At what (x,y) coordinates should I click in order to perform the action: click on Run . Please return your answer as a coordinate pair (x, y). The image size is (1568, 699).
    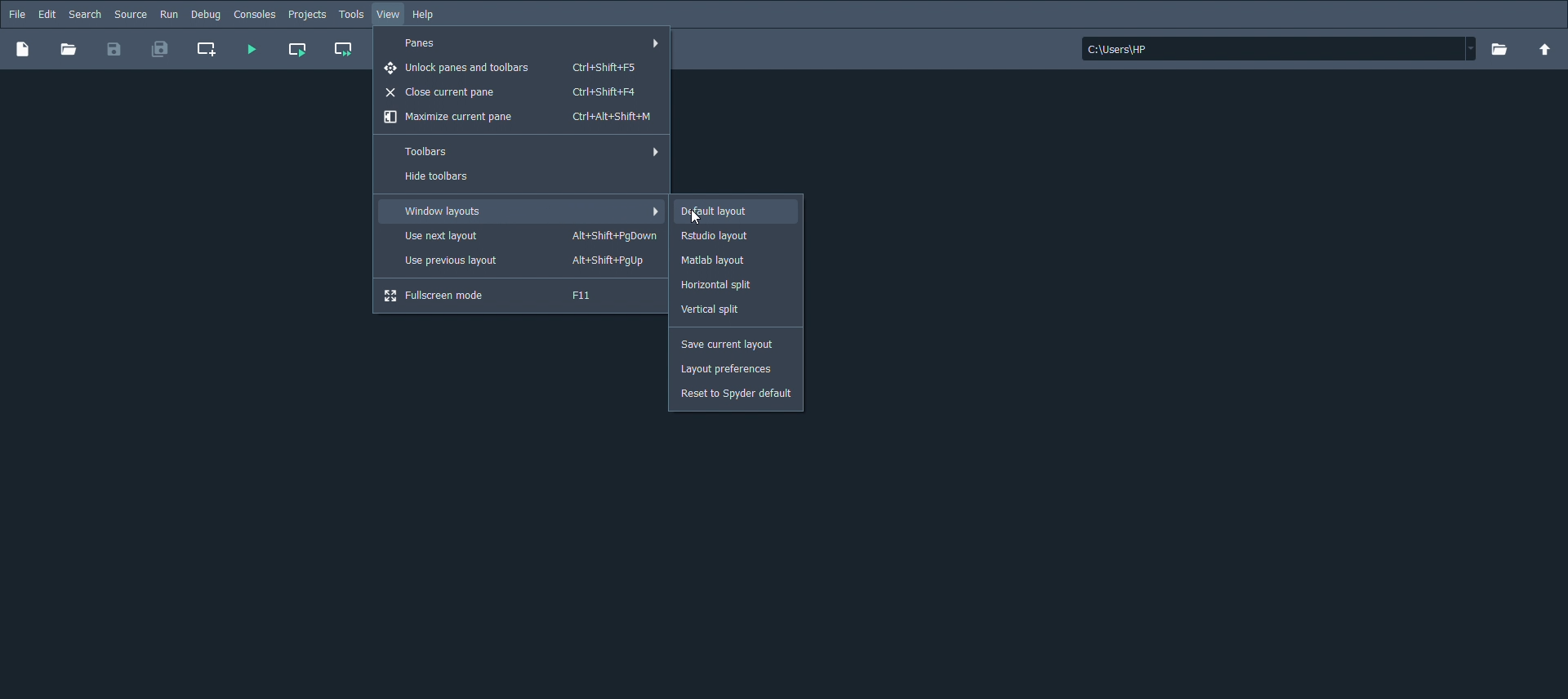
    Looking at the image, I should click on (168, 14).